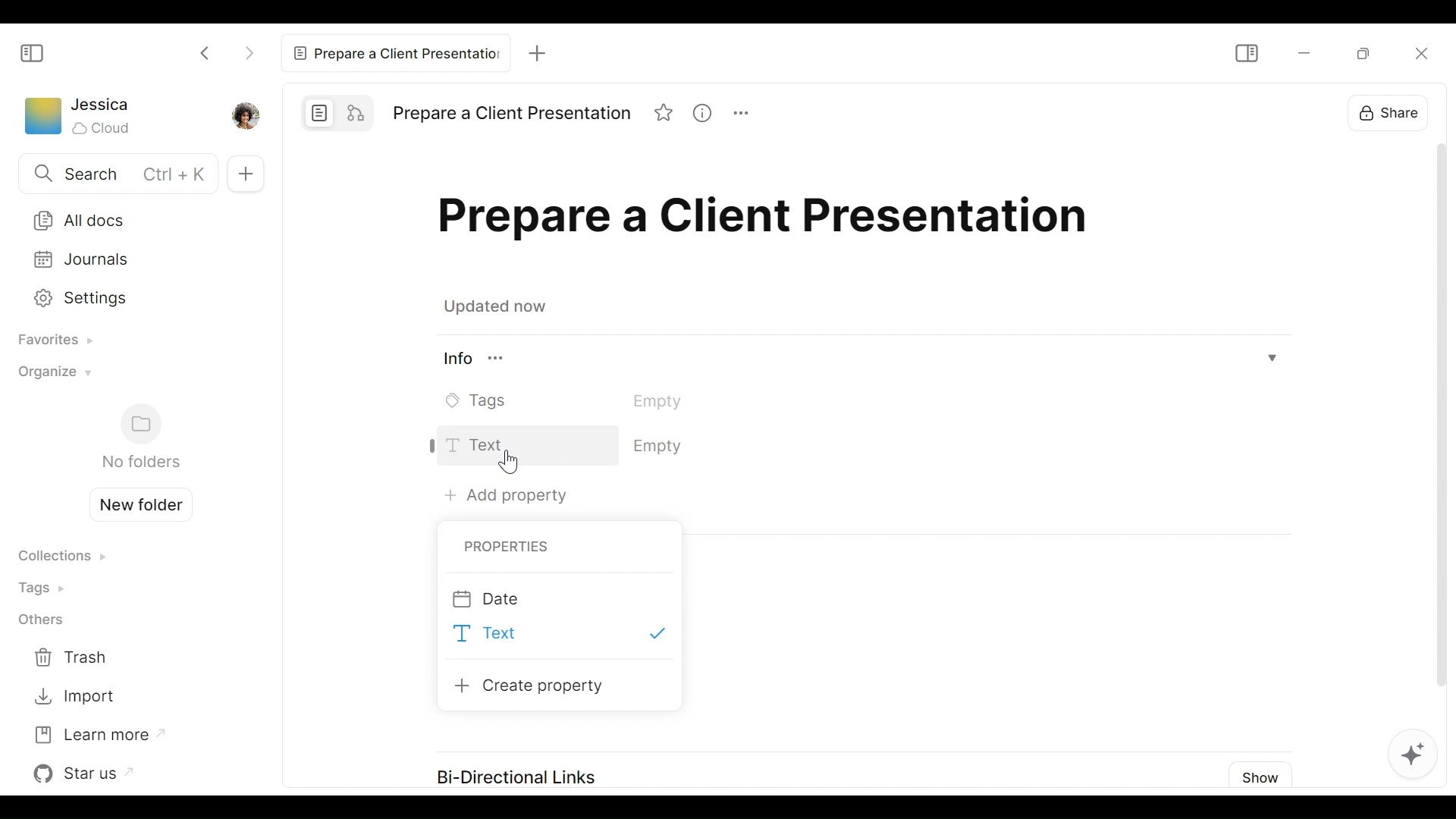  Describe the element at coordinates (40, 621) in the screenshot. I see `Others` at that location.